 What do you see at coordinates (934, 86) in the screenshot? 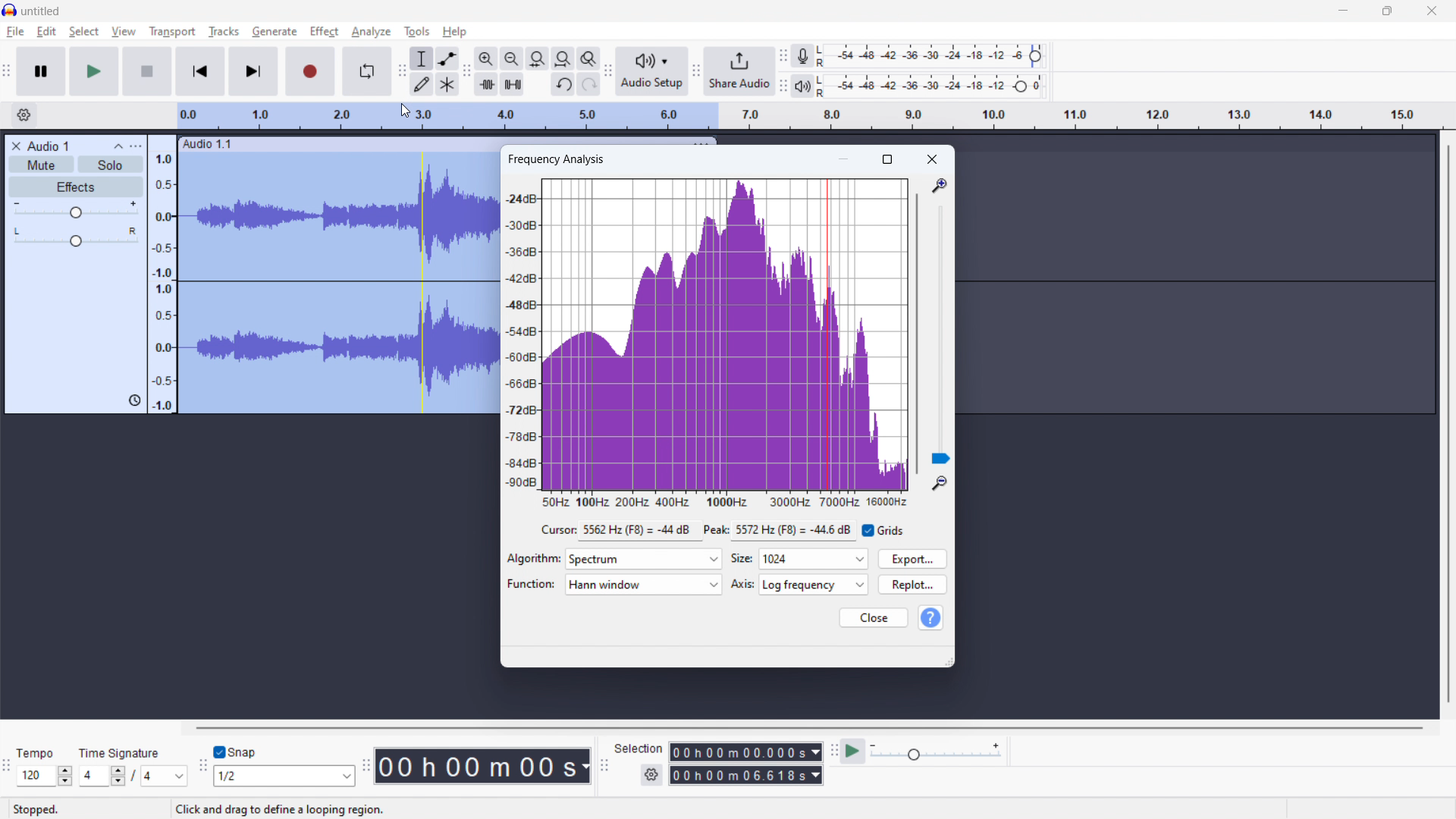
I see `playback level` at bounding box center [934, 86].